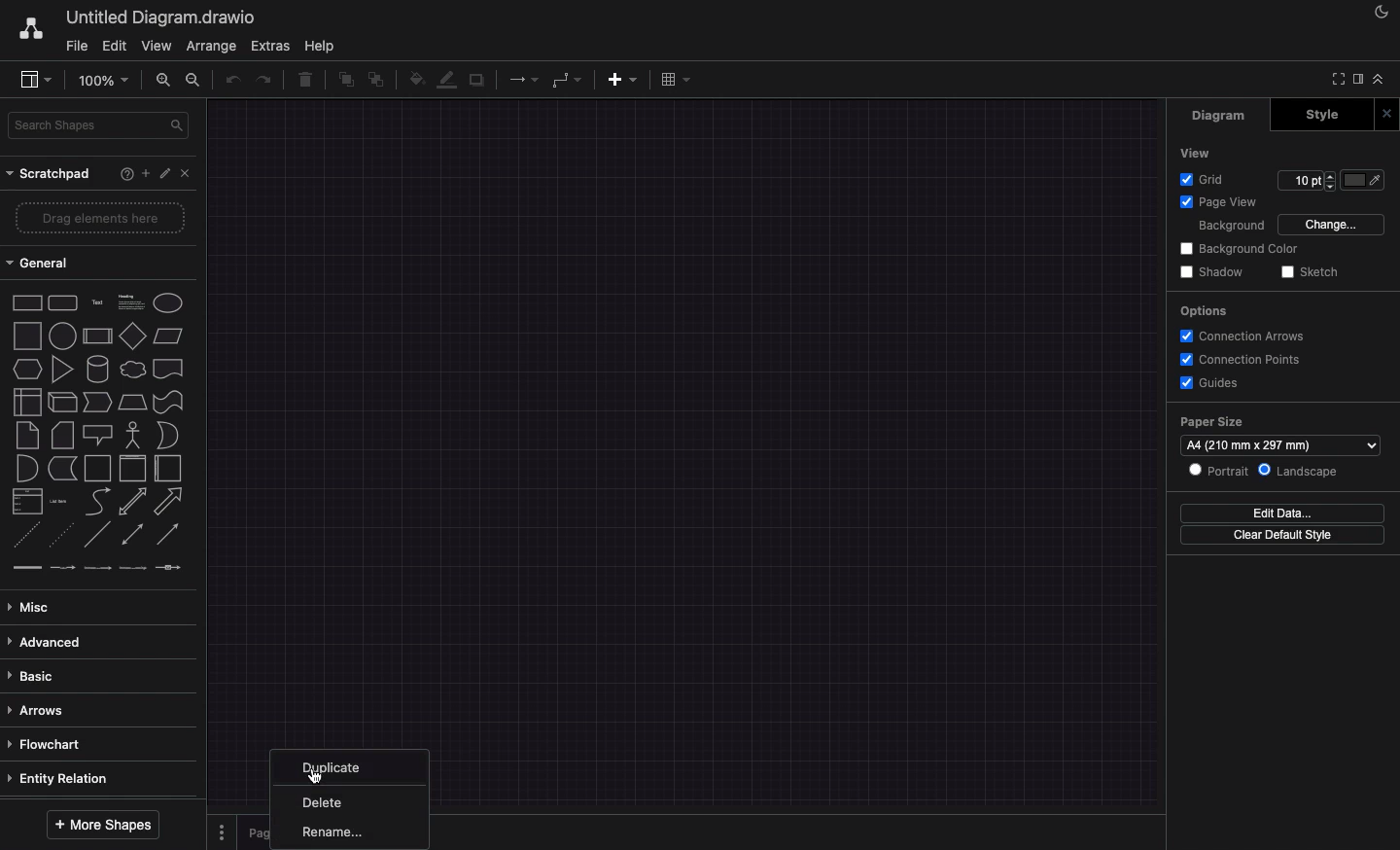 Image resolution: width=1400 pixels, height=850 pixels. What do you see at coordinates (61, 533) in the screenshot?
I see `dotted line` at bounding box center [61, 533].